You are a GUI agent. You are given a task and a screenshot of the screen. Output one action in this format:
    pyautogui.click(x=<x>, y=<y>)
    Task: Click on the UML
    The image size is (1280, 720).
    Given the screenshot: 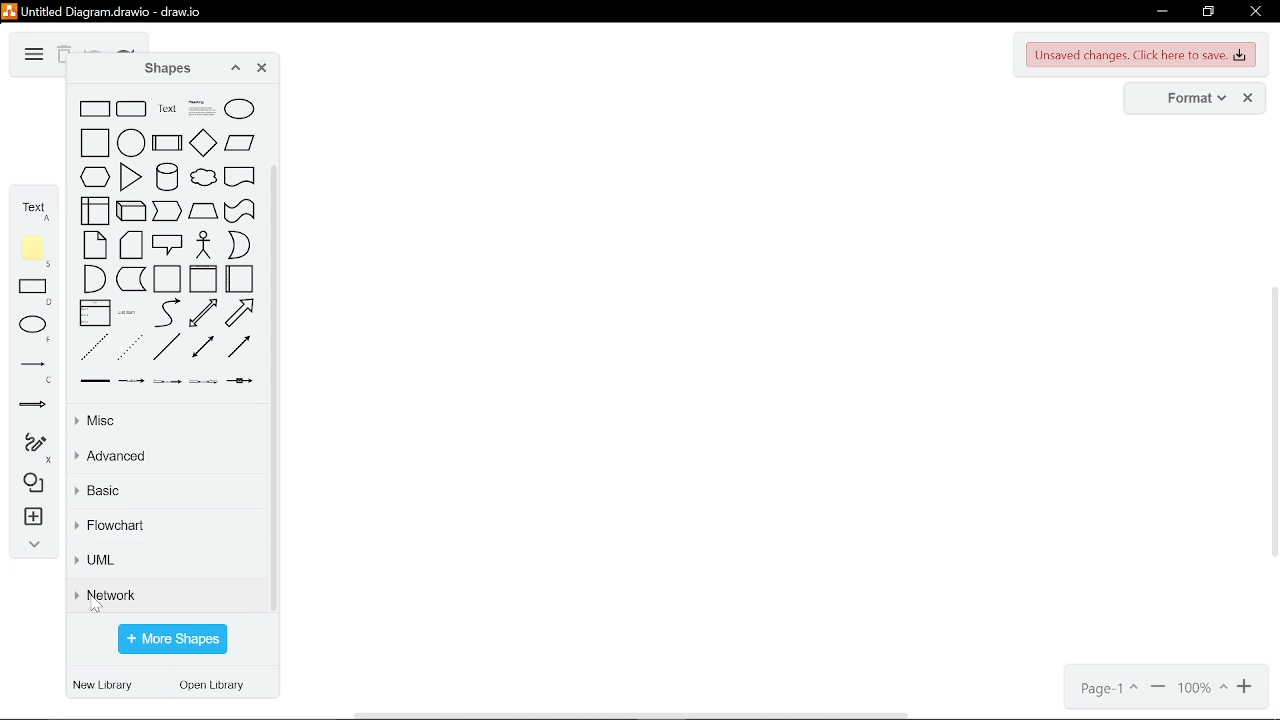 What is the action you would take?
    pyautogui.click(x=166, y=563)
    